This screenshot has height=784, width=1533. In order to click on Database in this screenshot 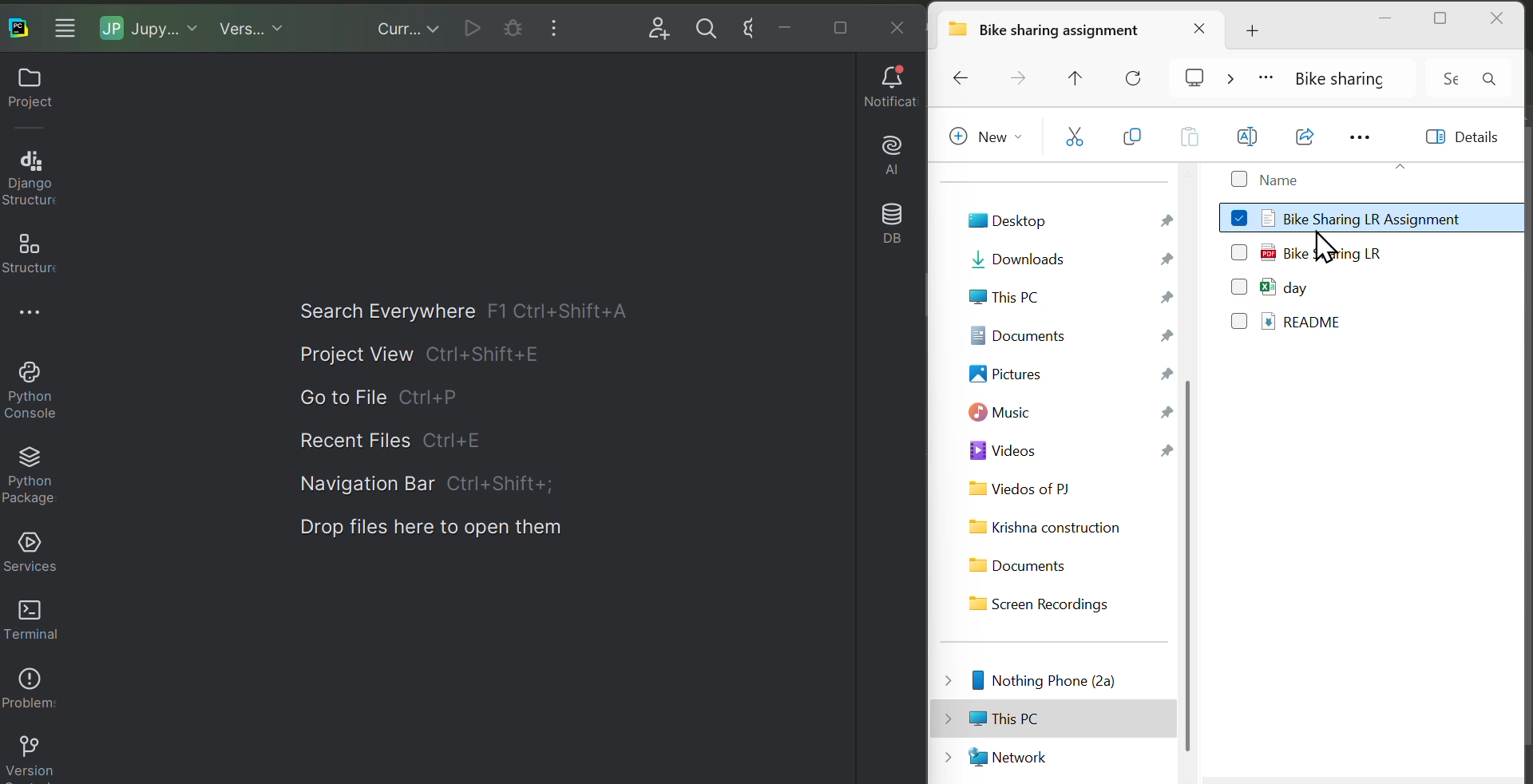, I will do `click(885, 221)`.